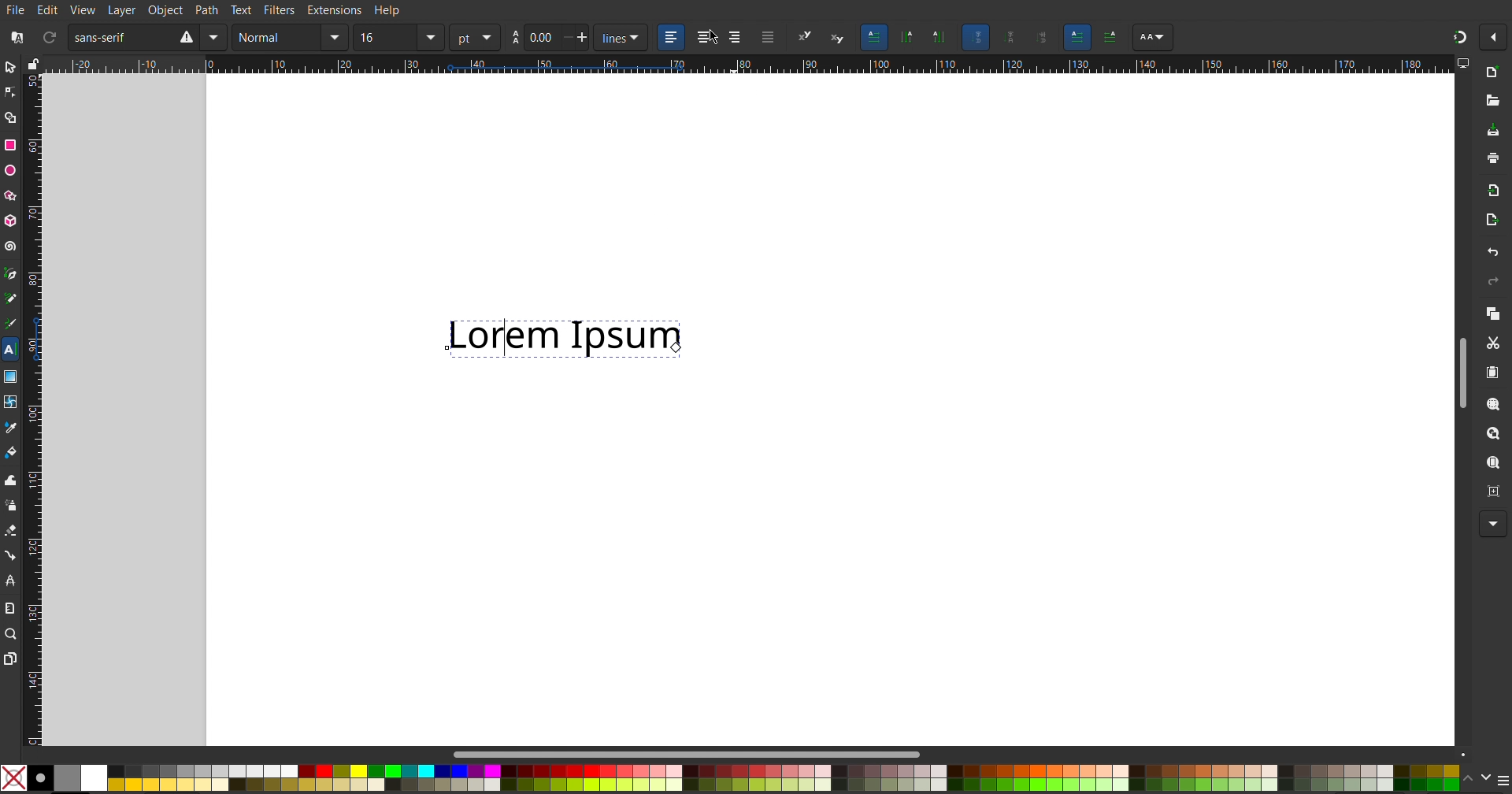 This screenshot has width=1512, height=794. Describe the element at coordinates (1494, 73) in the screenshot. I see `New` at that location.